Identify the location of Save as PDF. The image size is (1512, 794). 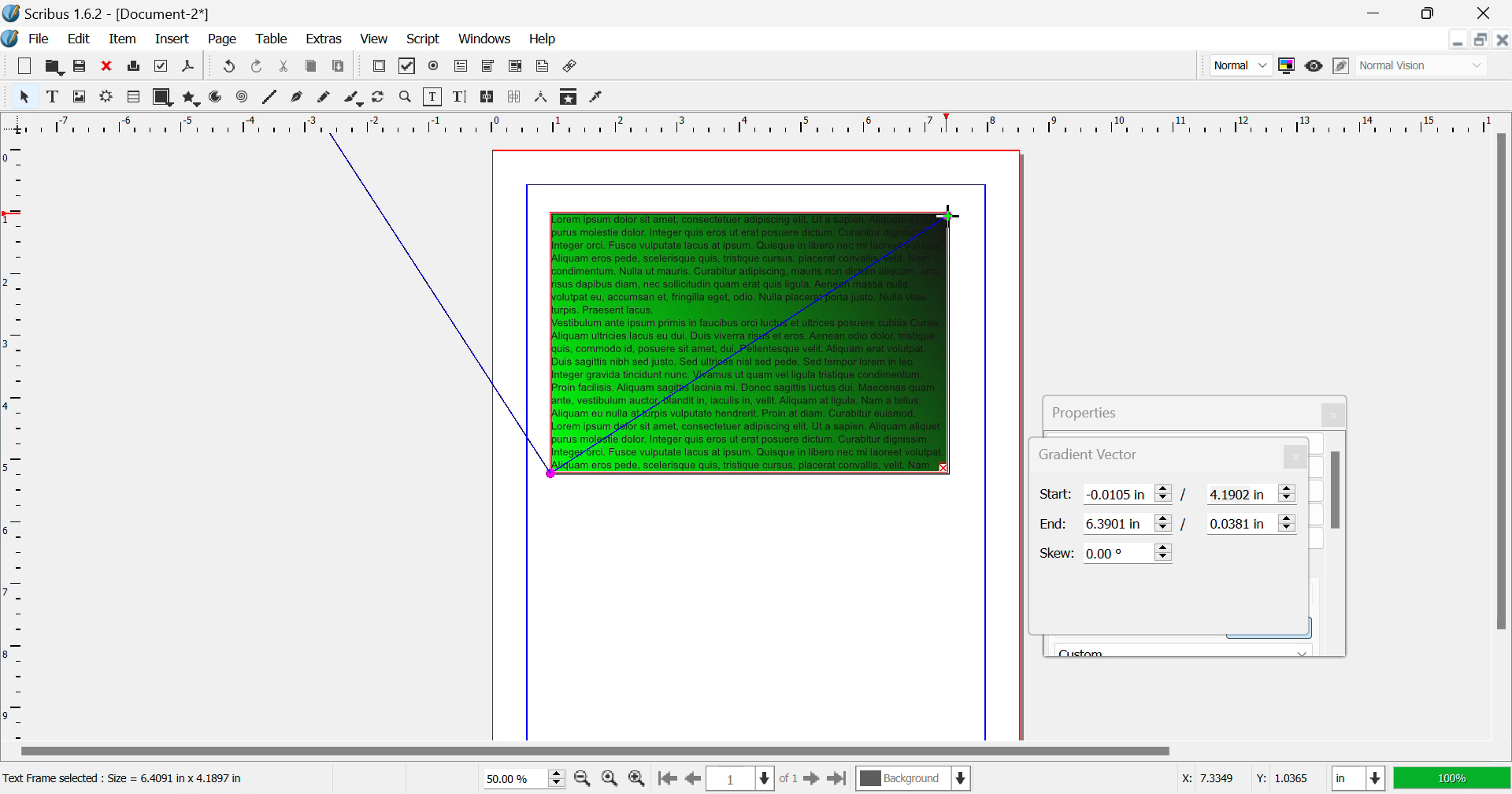
(189, 68).